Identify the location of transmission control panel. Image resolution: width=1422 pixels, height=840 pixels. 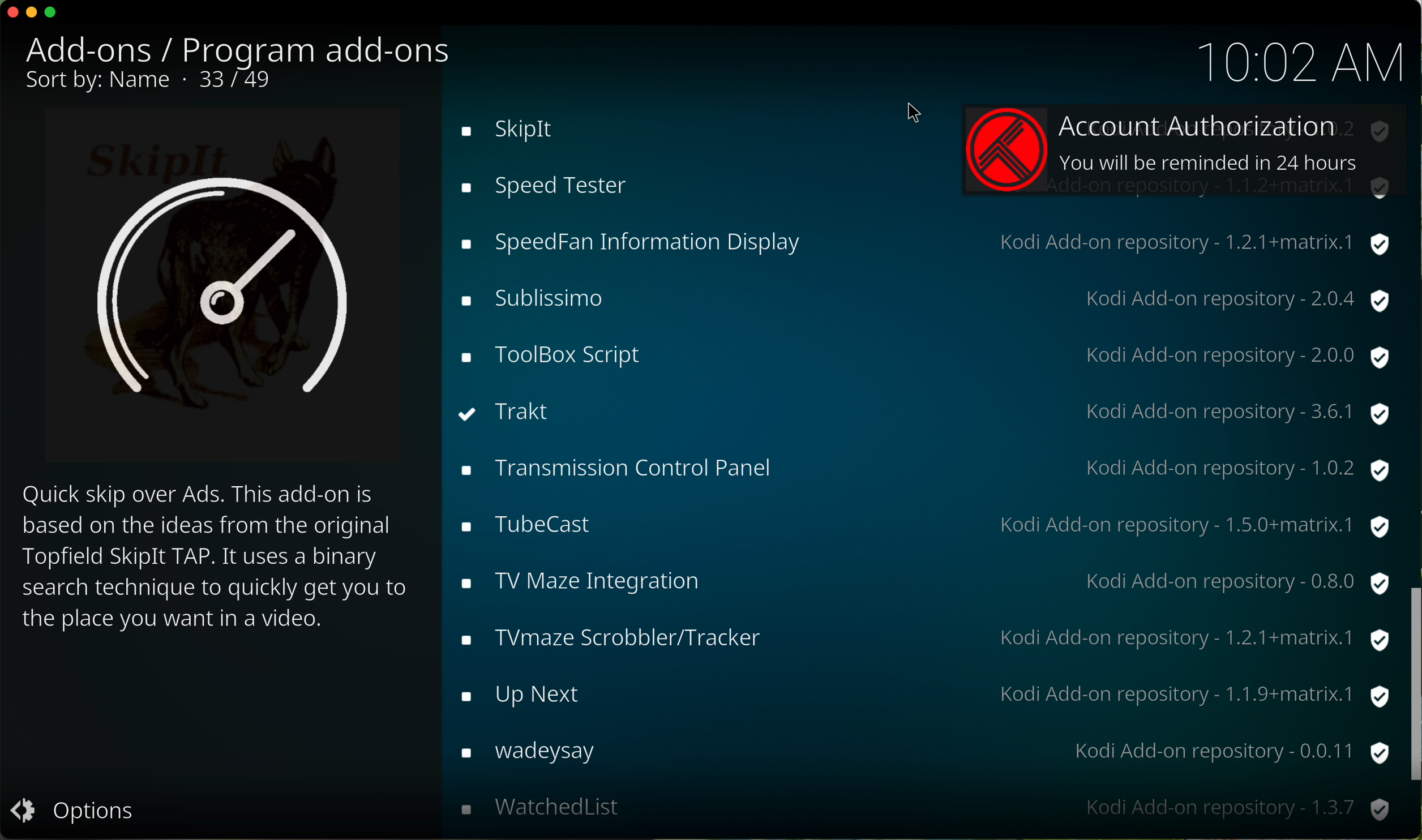
(920, 240).